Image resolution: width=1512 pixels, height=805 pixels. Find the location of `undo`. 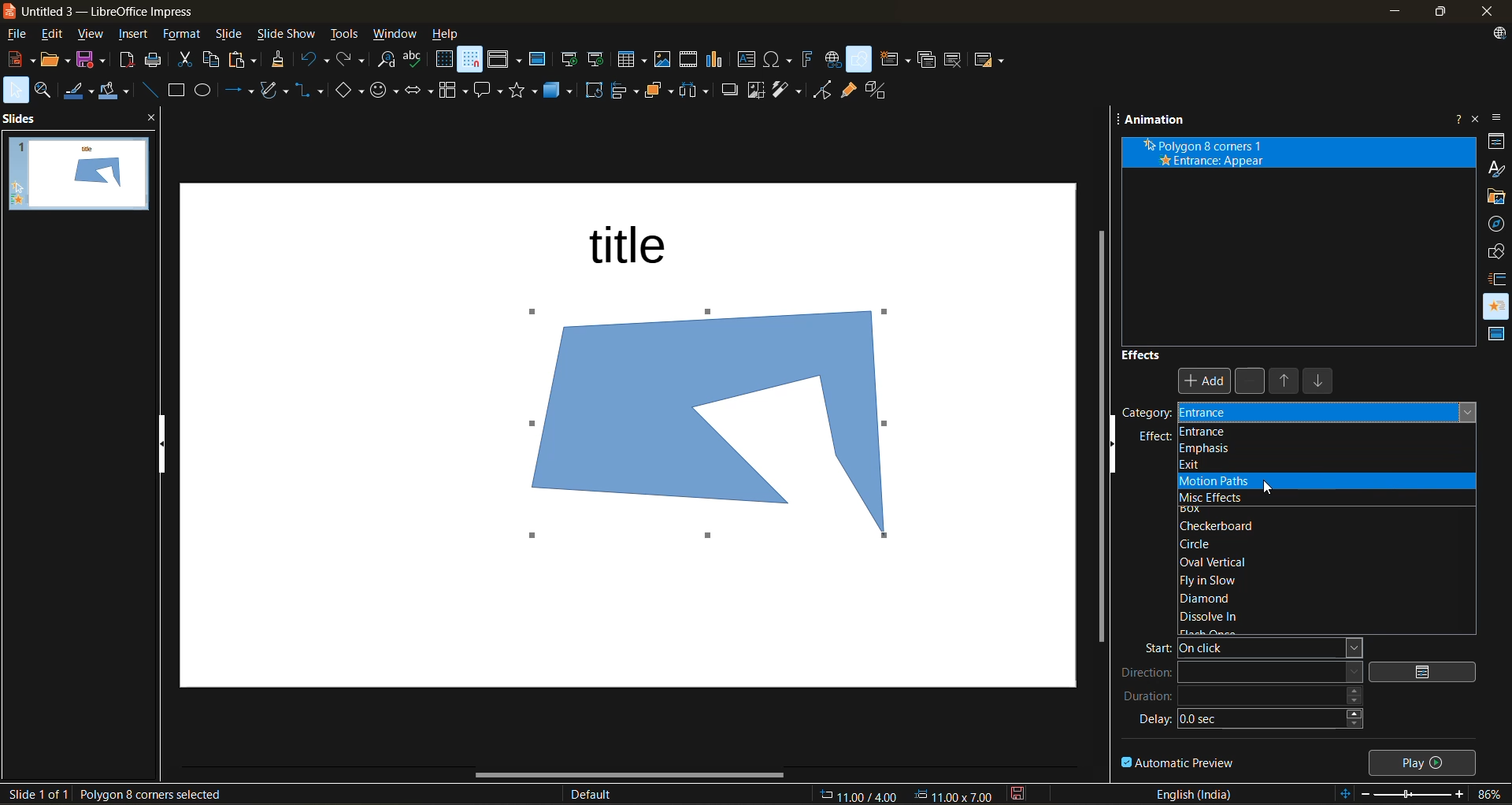

undo is located at coordinates (314, 60).